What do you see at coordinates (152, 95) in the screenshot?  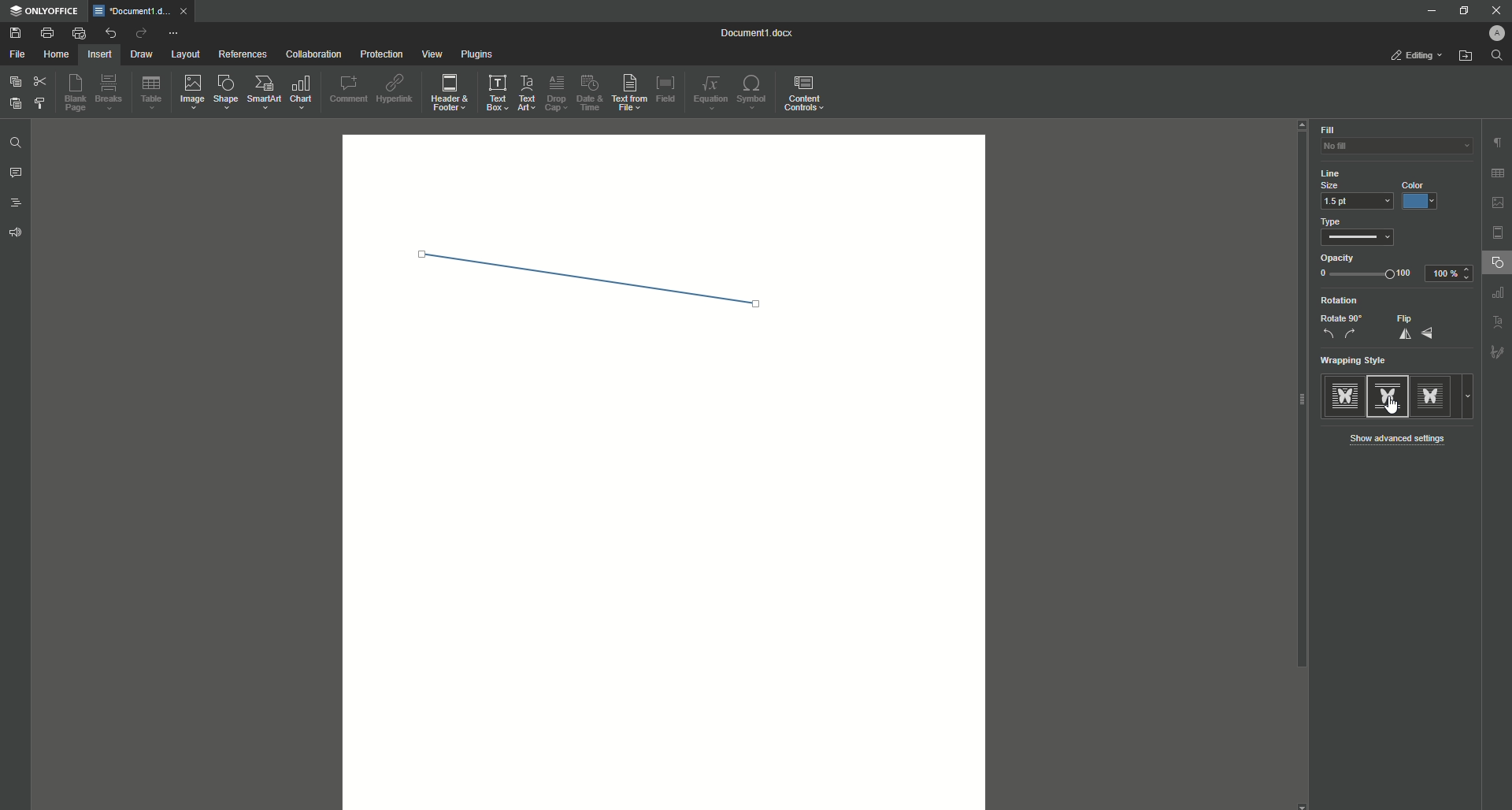 I see `Table` at bounding box center [152, 95].